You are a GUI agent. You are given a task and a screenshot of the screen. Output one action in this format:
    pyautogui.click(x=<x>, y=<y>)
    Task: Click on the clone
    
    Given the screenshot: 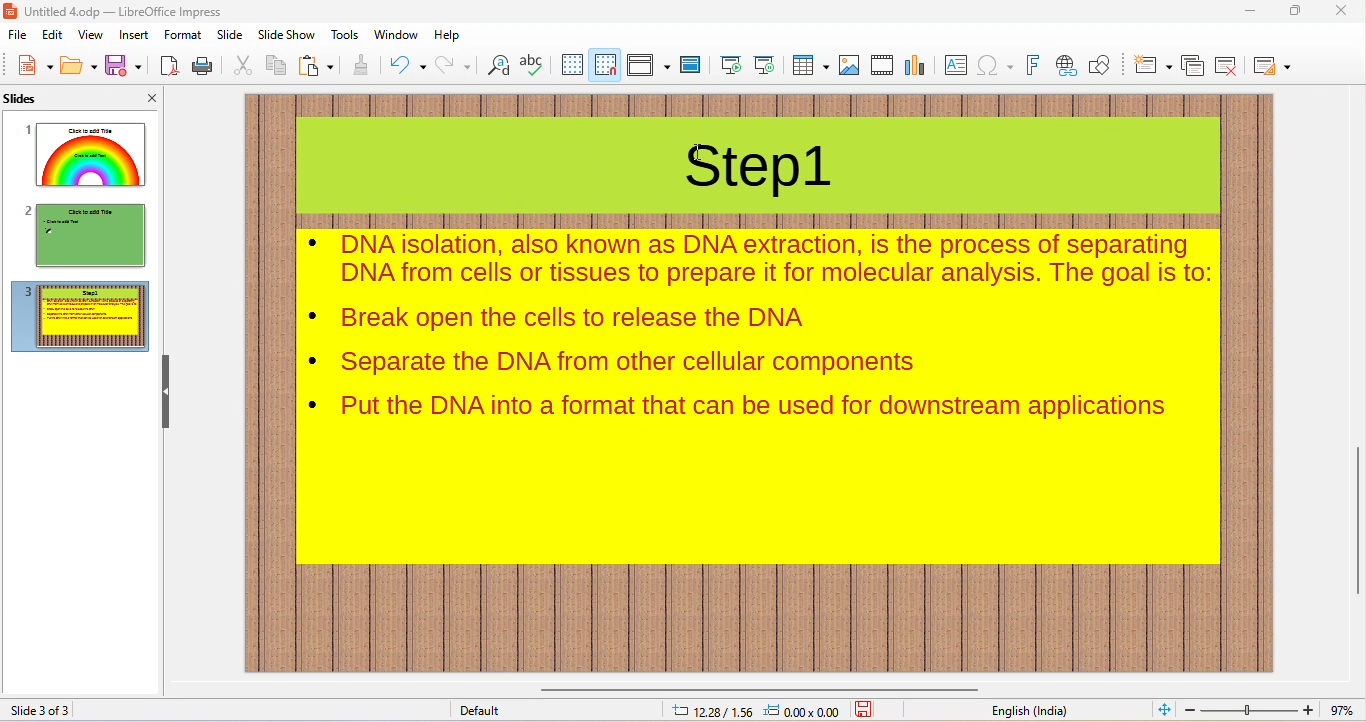 What is the action you would take?
    pyautogui.click(x=361, y=65)
    